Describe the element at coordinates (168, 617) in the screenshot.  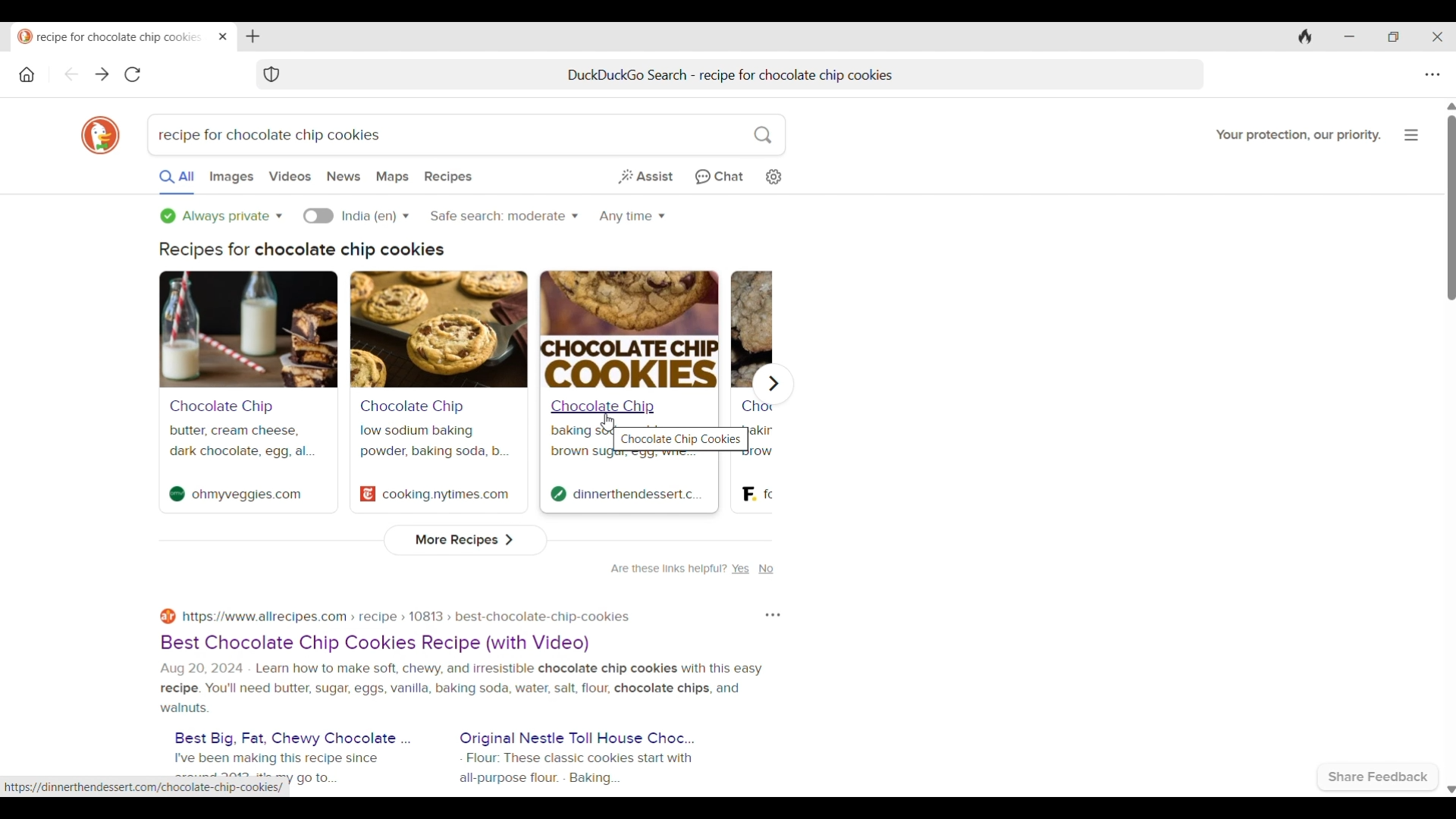
I see `Site logo` at that location.